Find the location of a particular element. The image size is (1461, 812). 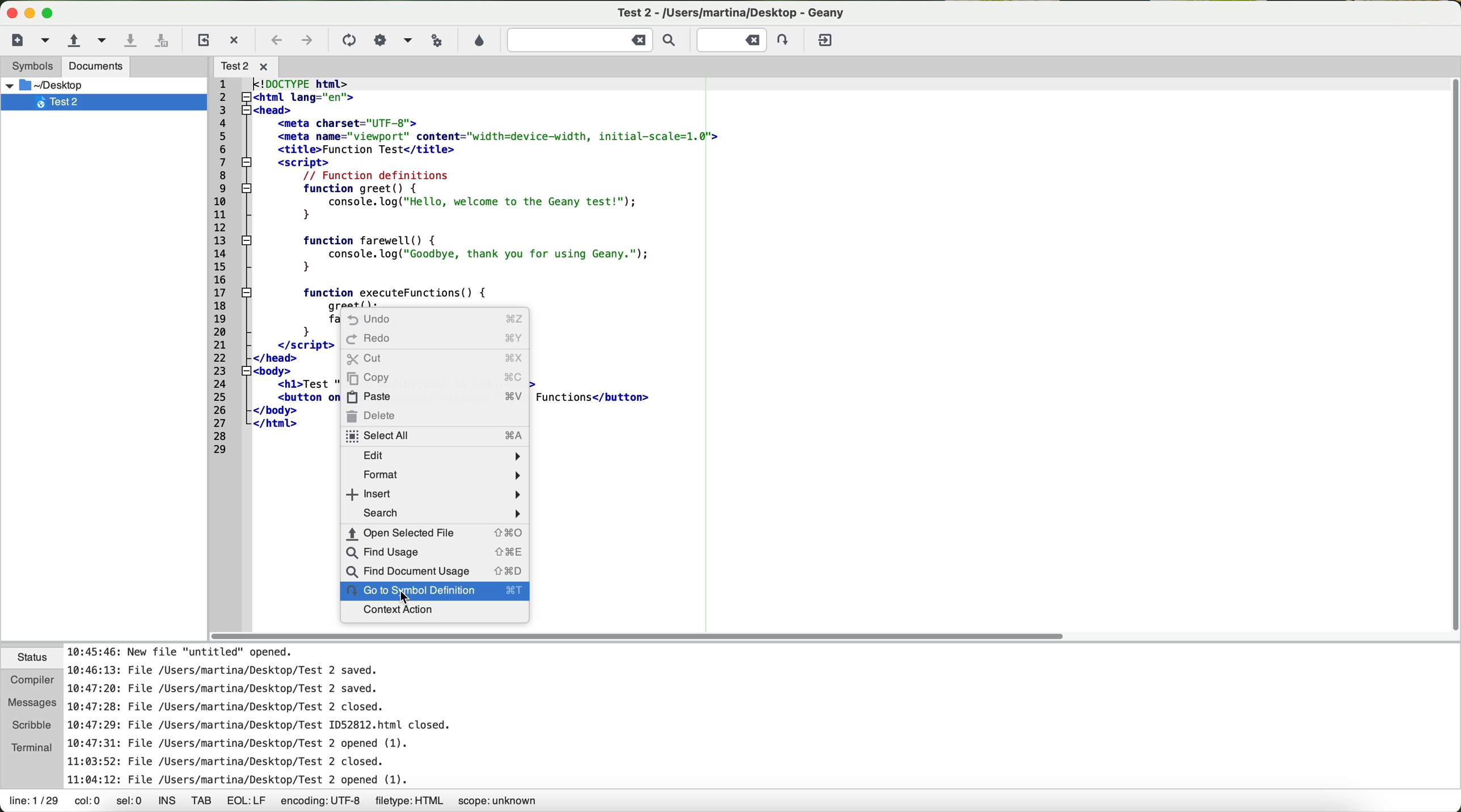

terminal is located at coordinates (28, 748).